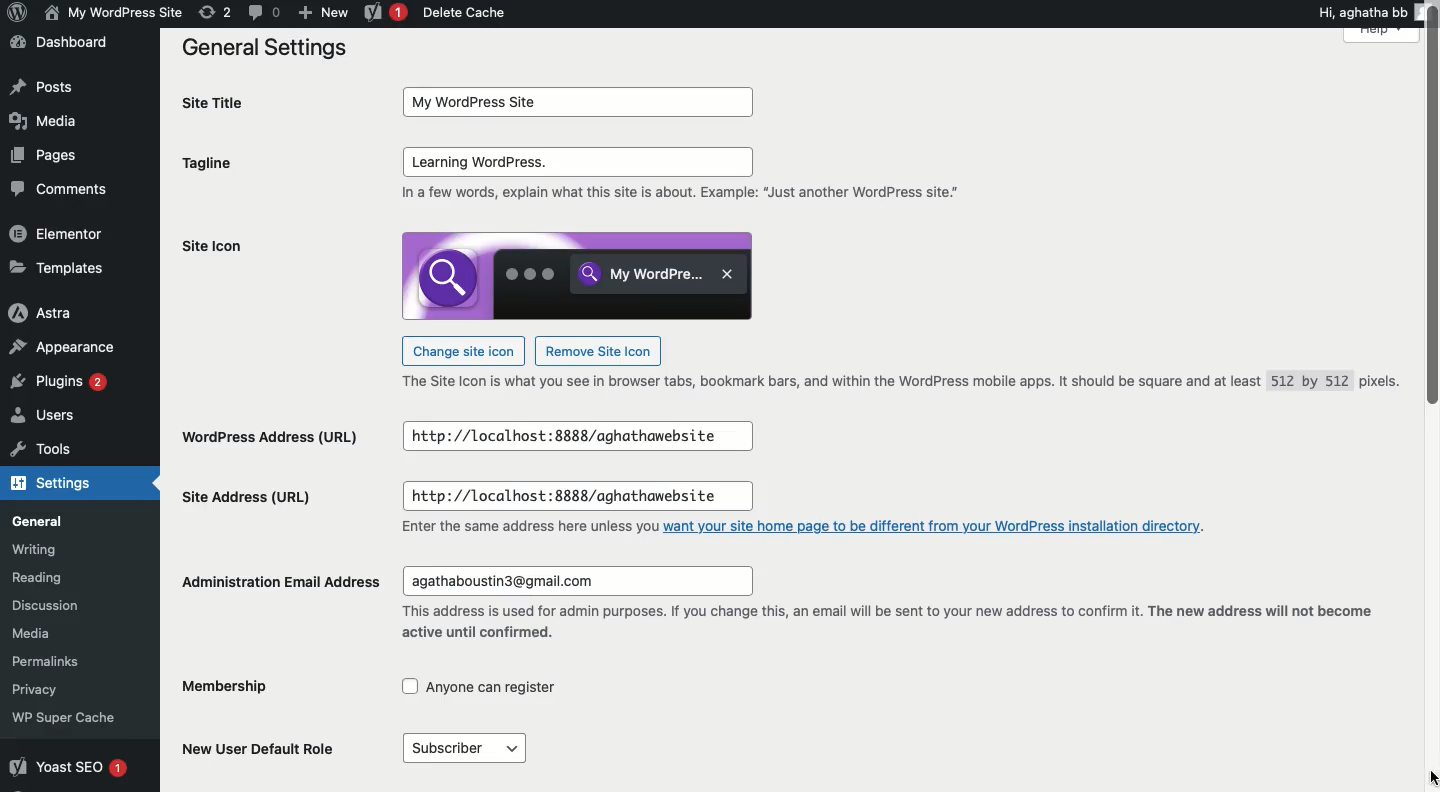 Image resolution: width=1440 pixels, height=792 pixels. What do you see at coordinates (251, 741) in the screenshot?
I see `New user default role` at bounding box center [251, 741].